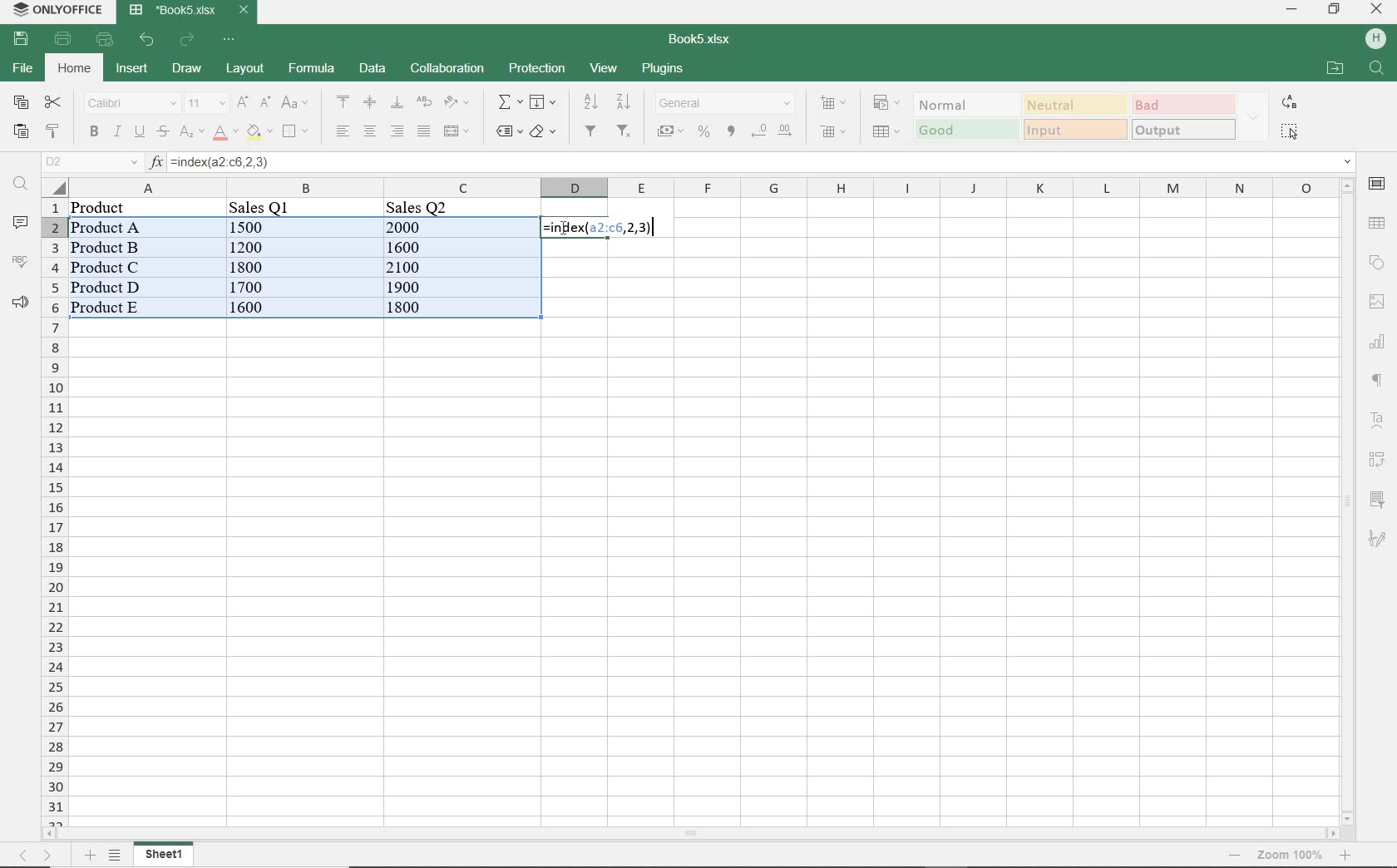  What do you see at coordinates (1292, 11) in the screenshot?
I see `minimize` at bounding box center [1292, 11].